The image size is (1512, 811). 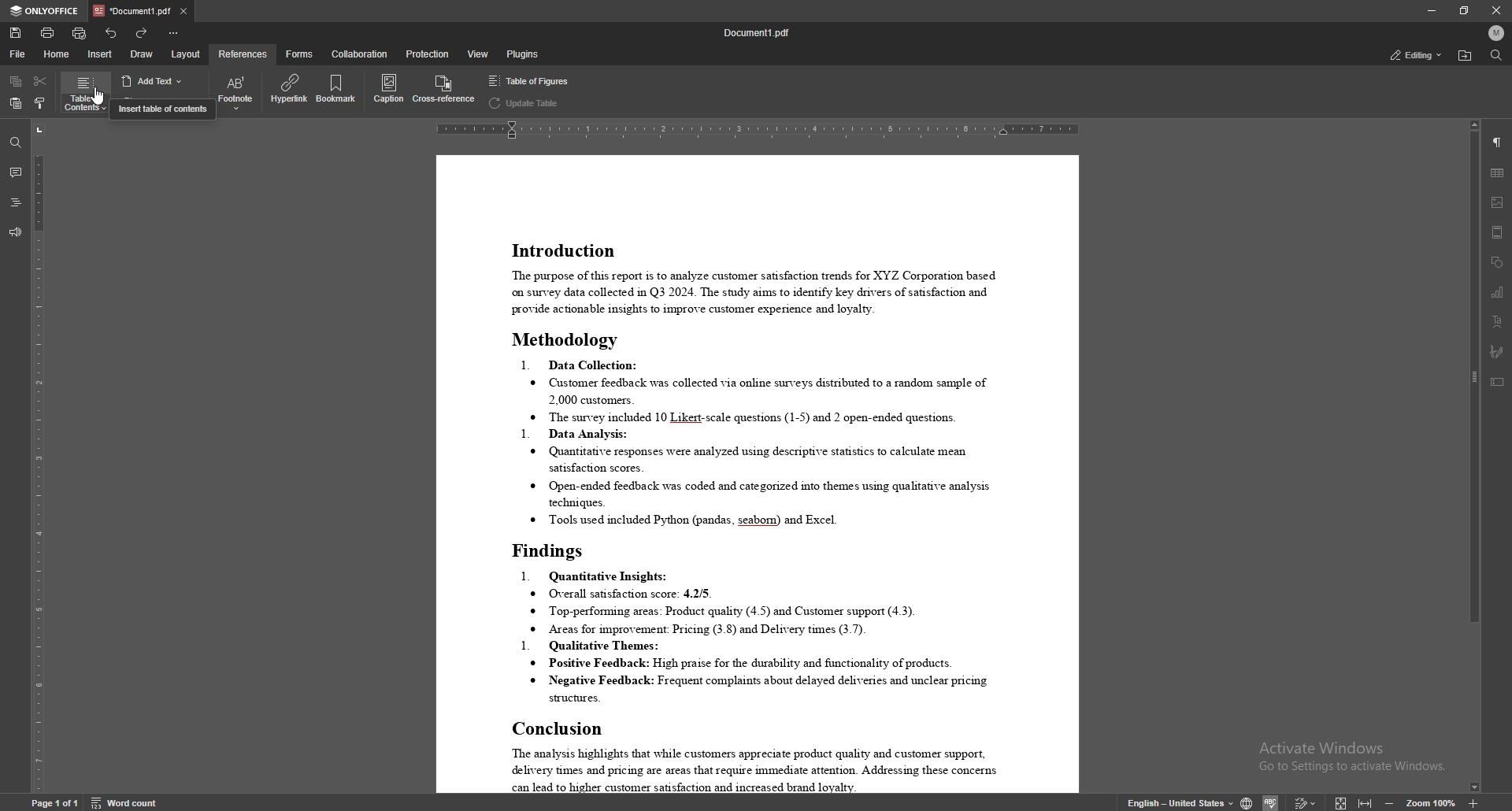 I want to click on , so click(x=1270, y=802).